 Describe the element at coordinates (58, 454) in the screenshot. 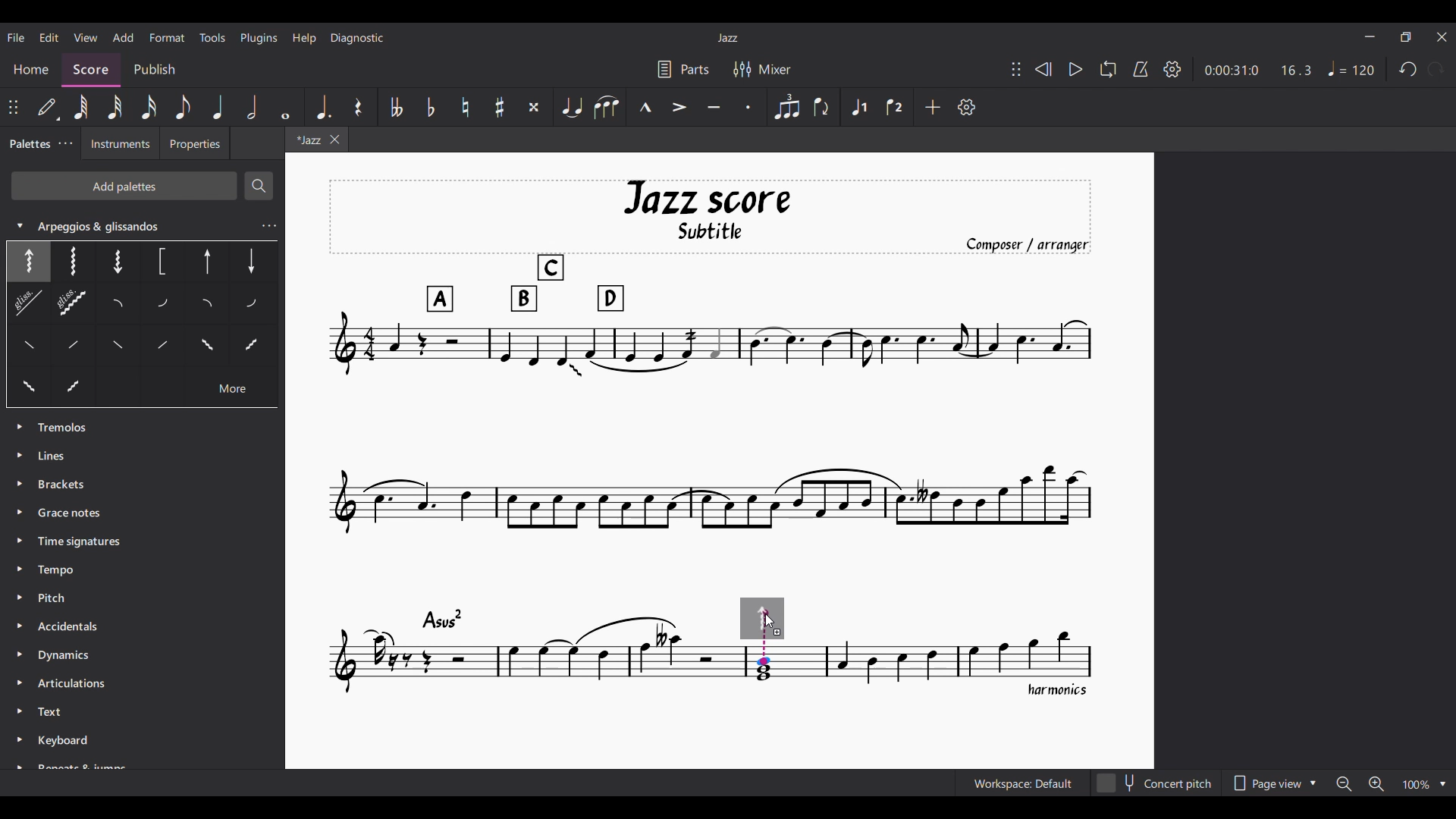

I see `Lines` at that location.